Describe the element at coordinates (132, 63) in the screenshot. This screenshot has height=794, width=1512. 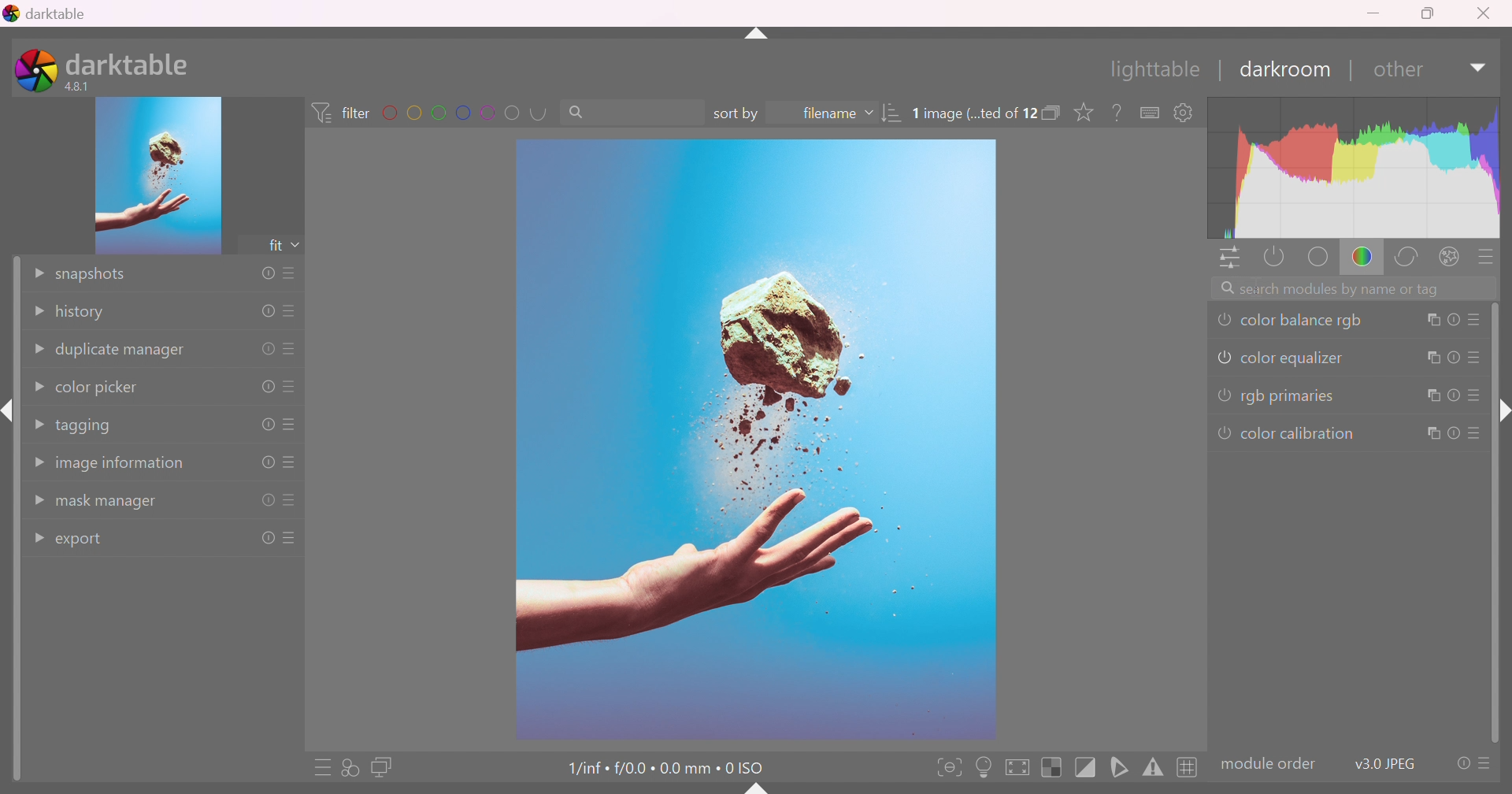
I see `darktable` at that location.